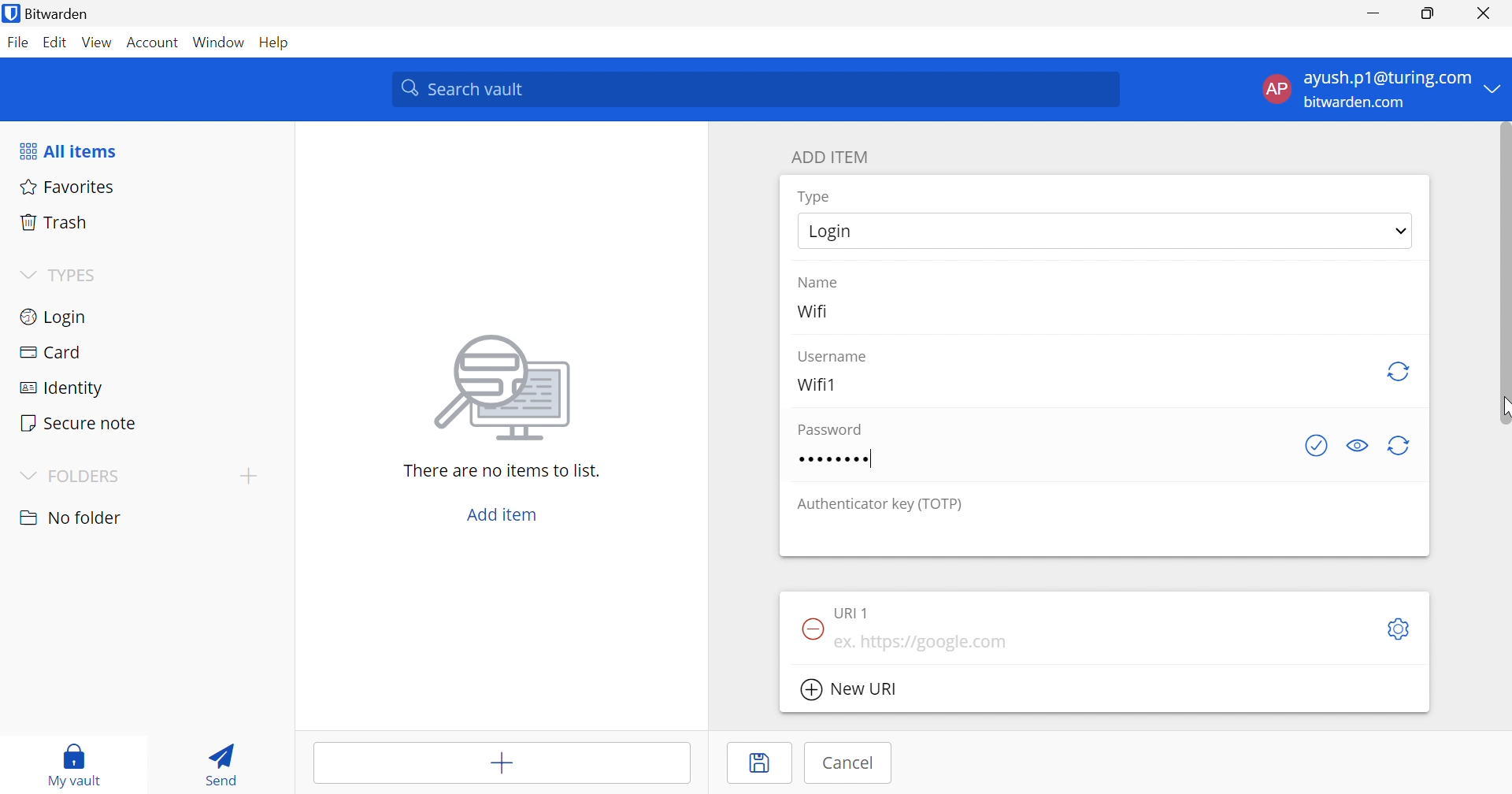 The width and height of the screenshot is (1512, 794). I want to click on My vault, so click(75, 757).